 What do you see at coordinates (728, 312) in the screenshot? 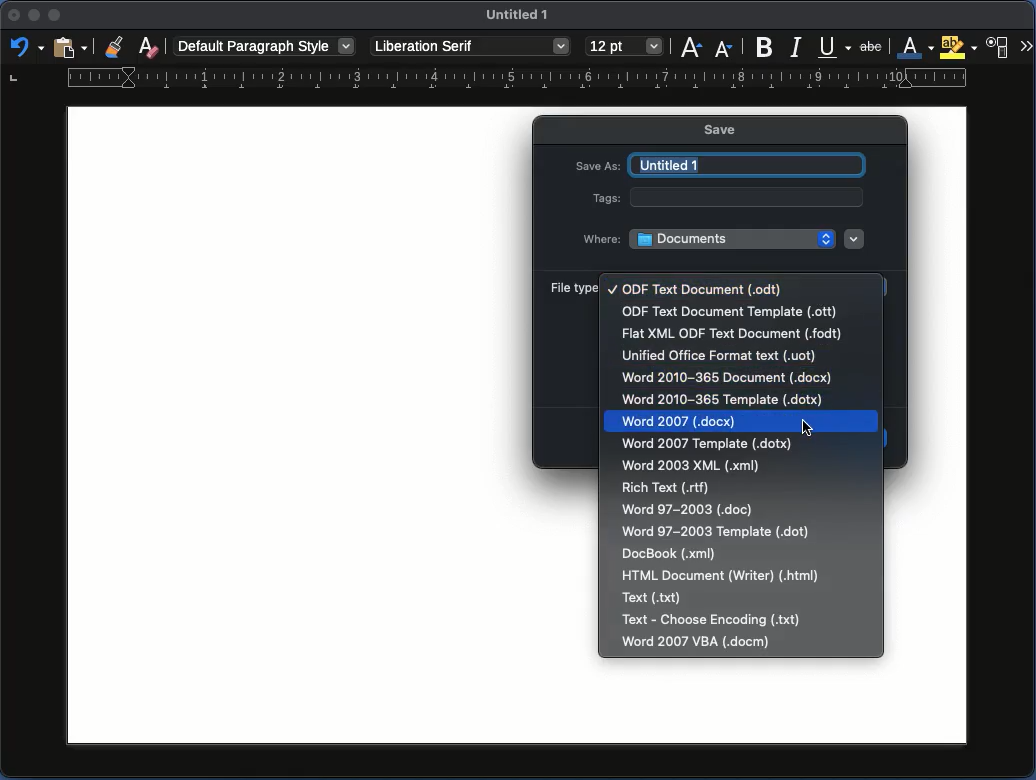
I see `Oft` at bounding box center [728, 312].